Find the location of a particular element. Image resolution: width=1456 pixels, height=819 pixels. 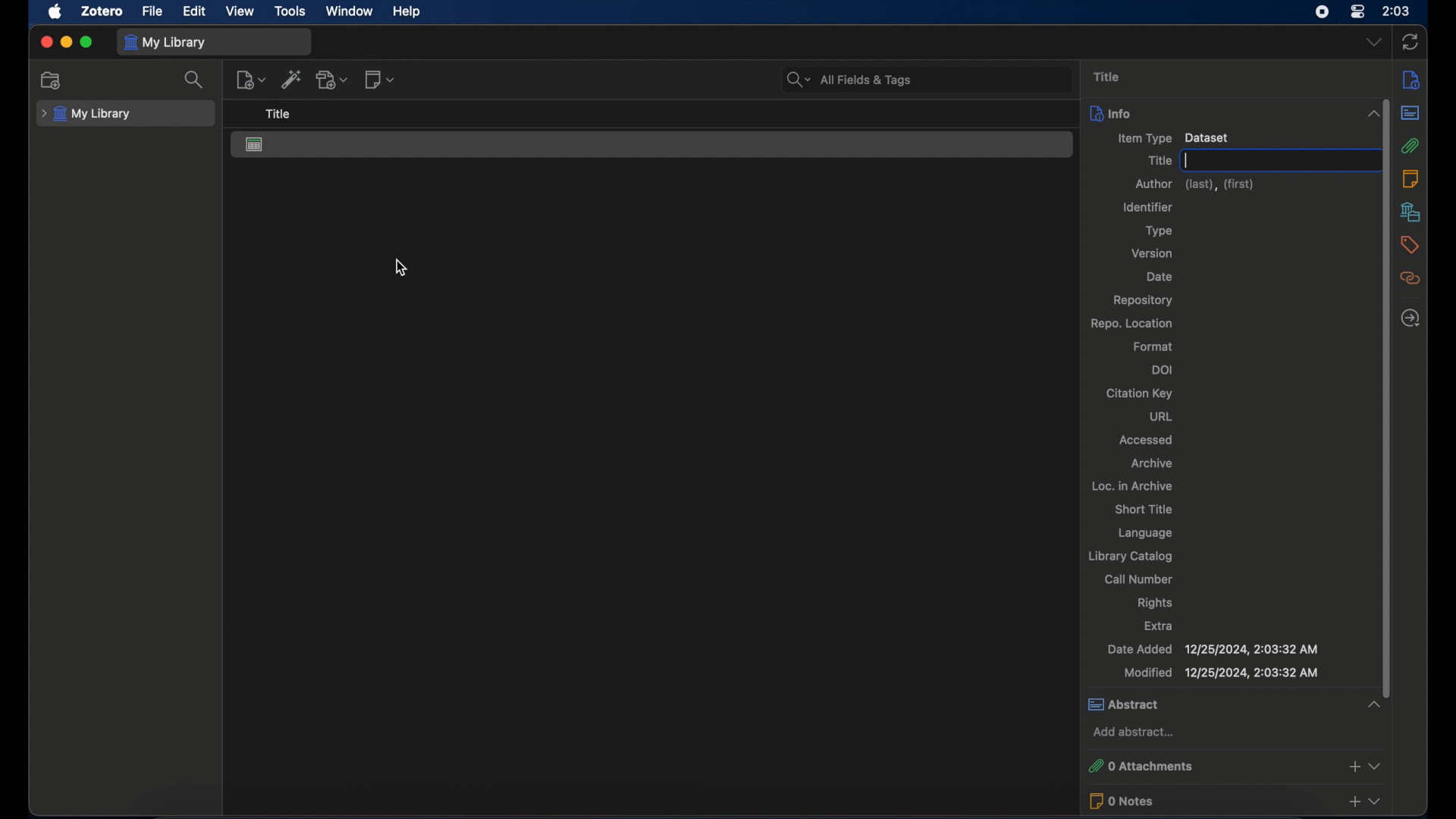

modified is located at coordinates (1221, 673).